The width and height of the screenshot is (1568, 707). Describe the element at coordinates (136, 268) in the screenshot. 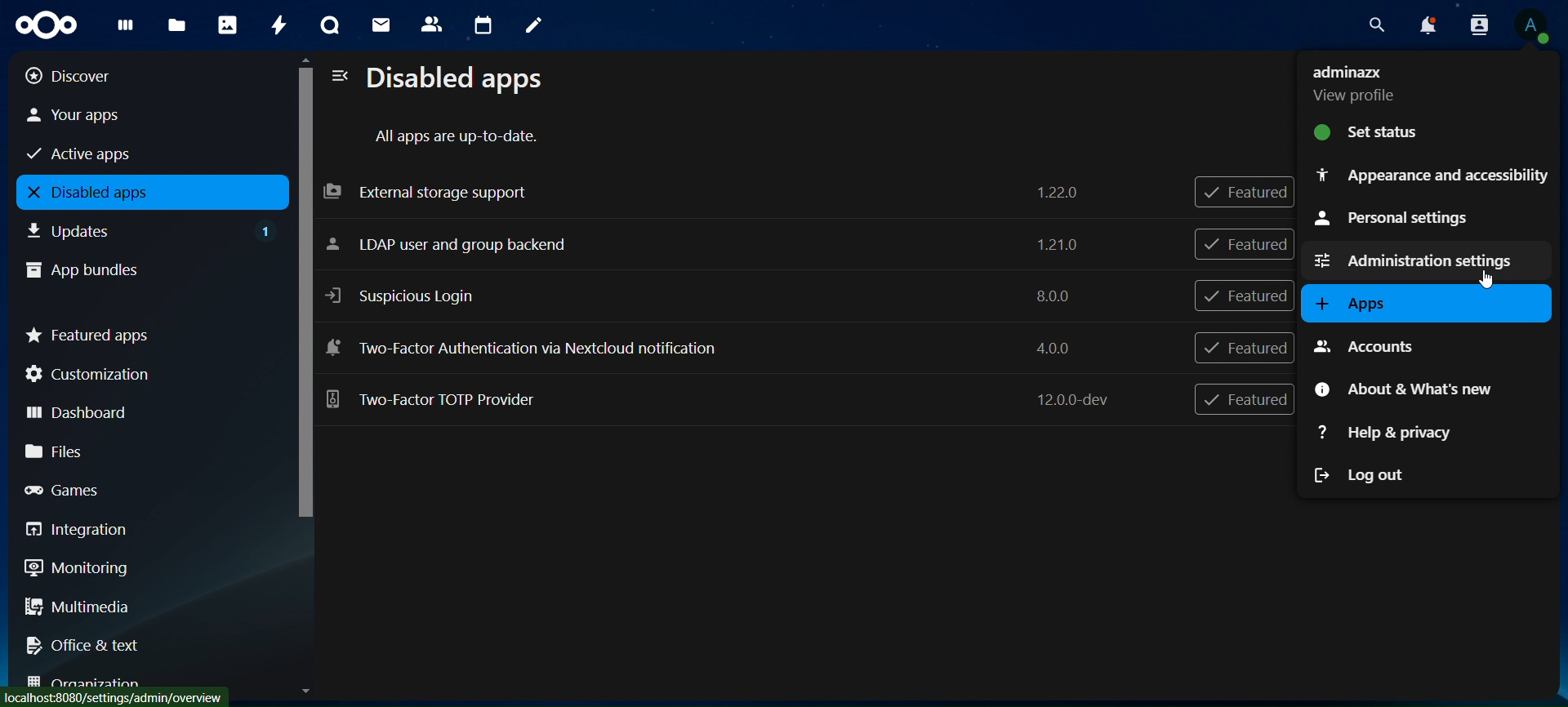

I see `app bundles` at that location.